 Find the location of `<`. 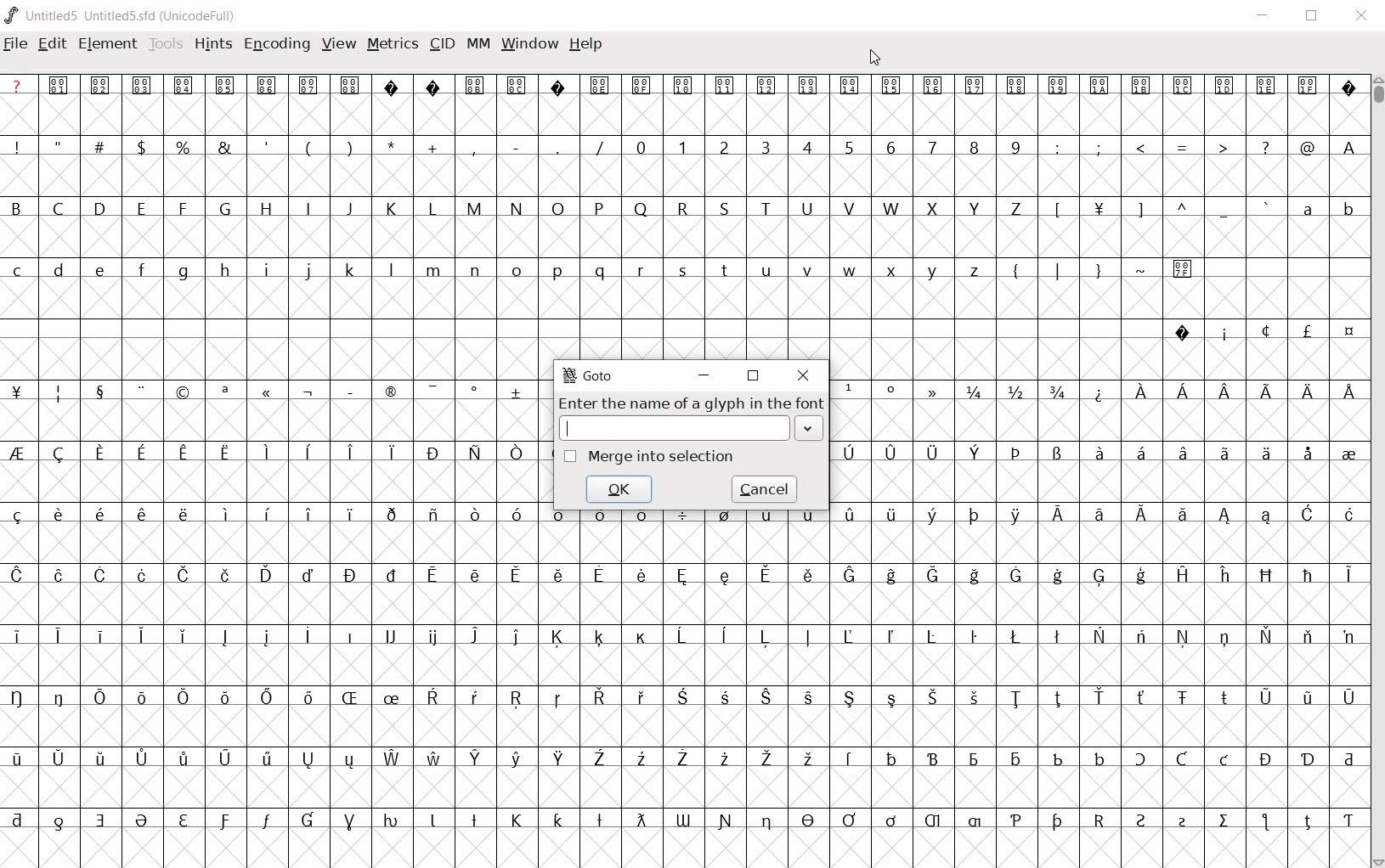

< is located at coordinates (1139, 148).